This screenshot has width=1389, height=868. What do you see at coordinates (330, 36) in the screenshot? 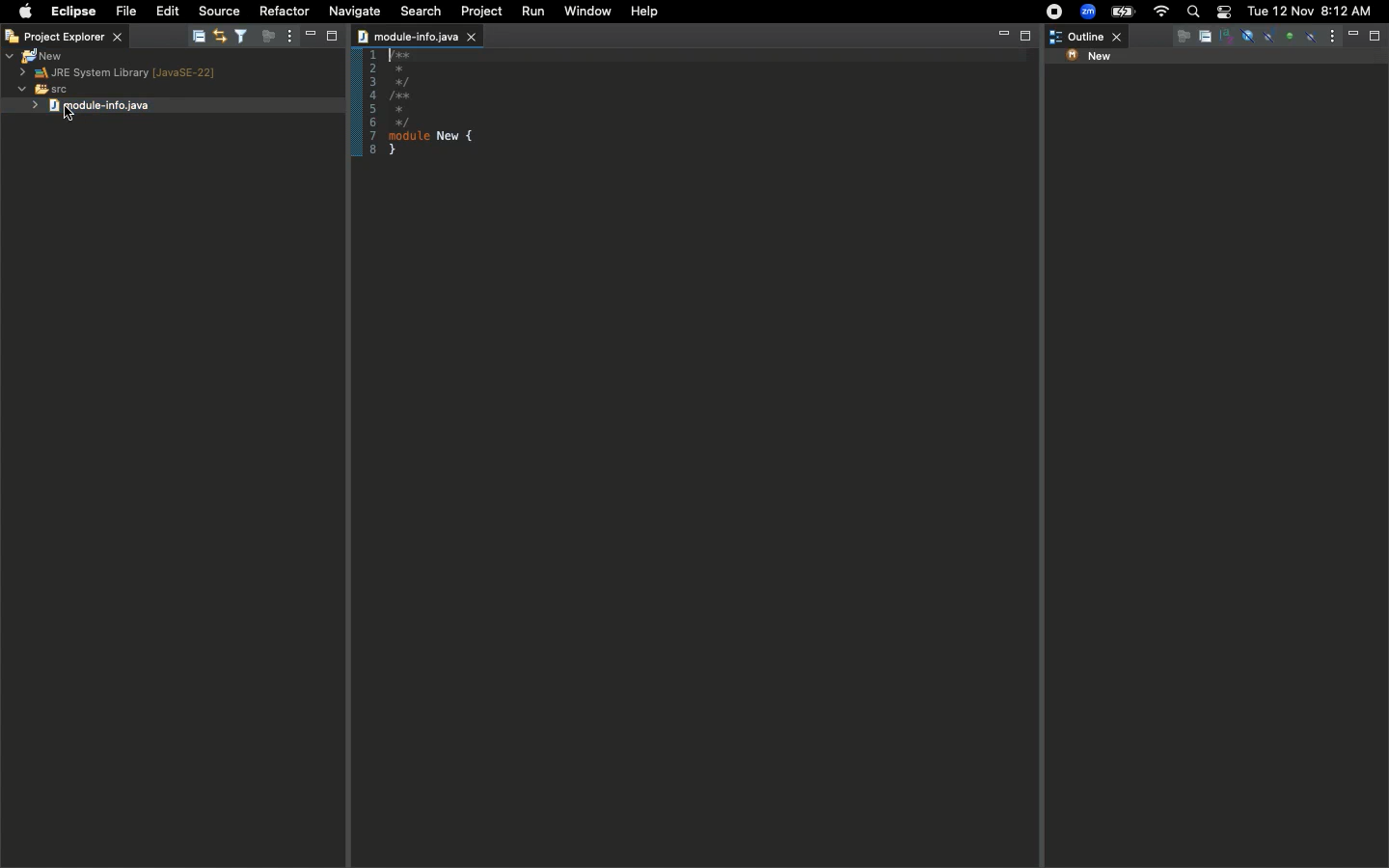
I see `Maximize` at bounding box center [330, 36].